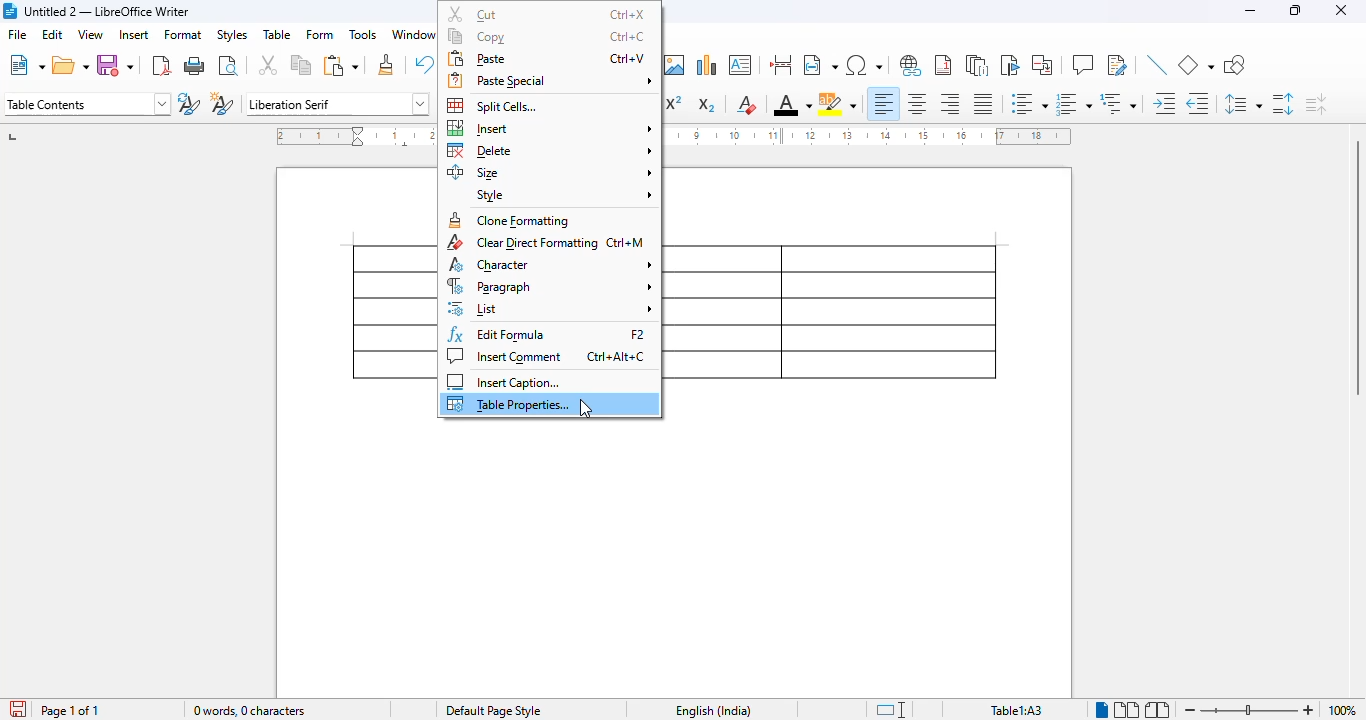  Describe the element at coordinates (1083, 65) in the screenshot. I see `insert comment` at that location.